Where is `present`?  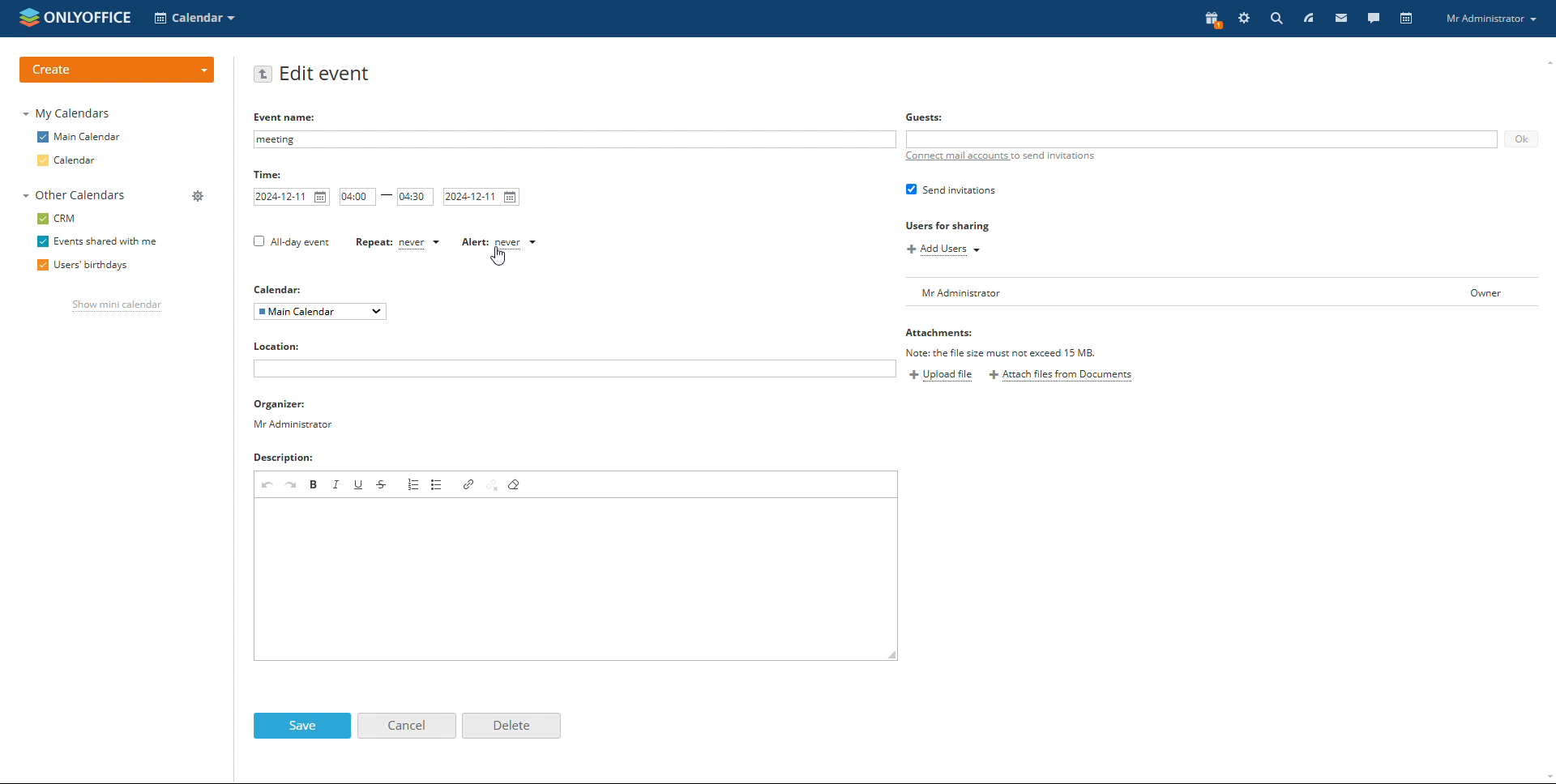 present is located at coordinates (1211, 19).